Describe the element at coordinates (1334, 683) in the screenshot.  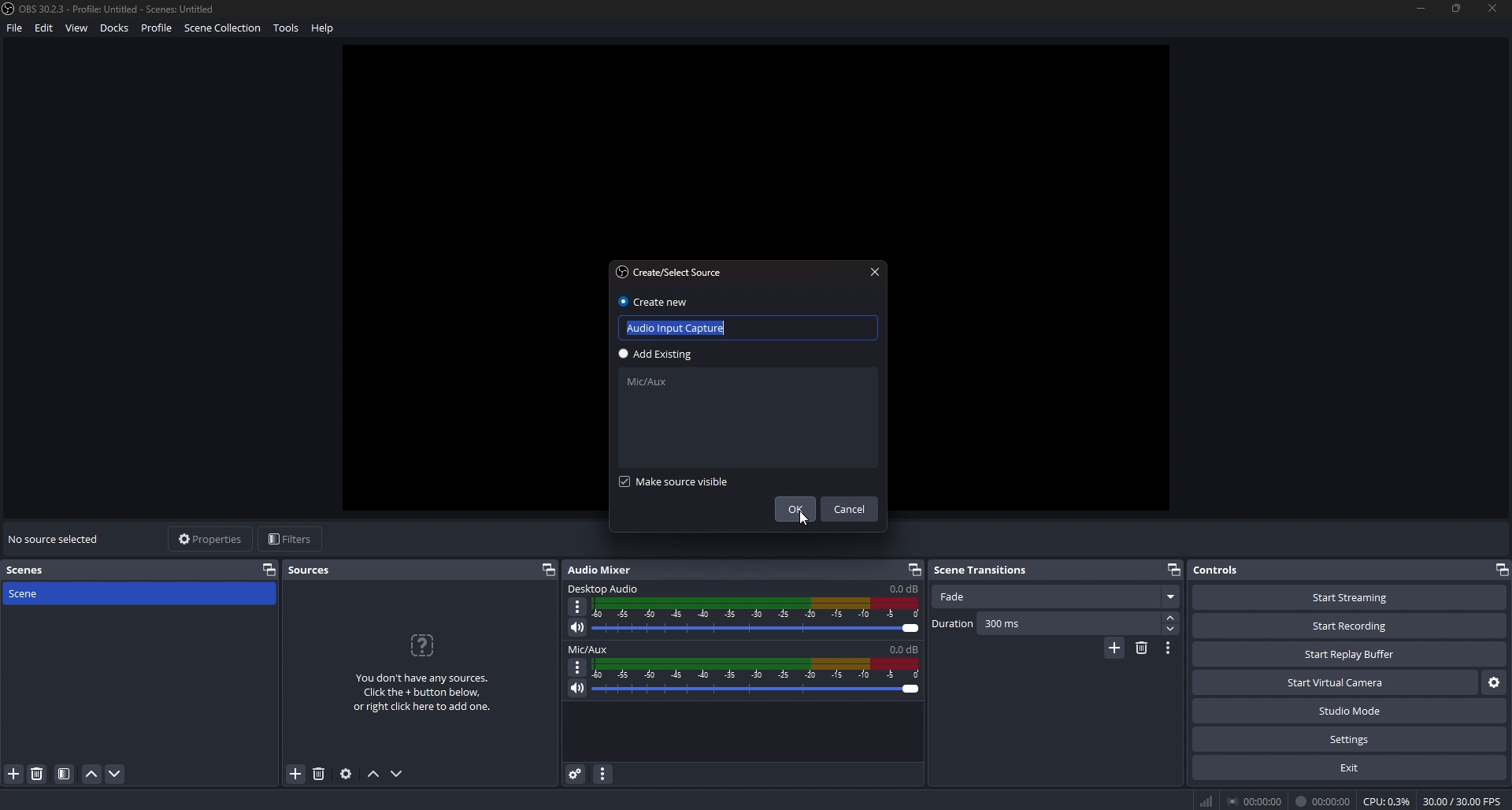
I see `start virtual camera` at that location.